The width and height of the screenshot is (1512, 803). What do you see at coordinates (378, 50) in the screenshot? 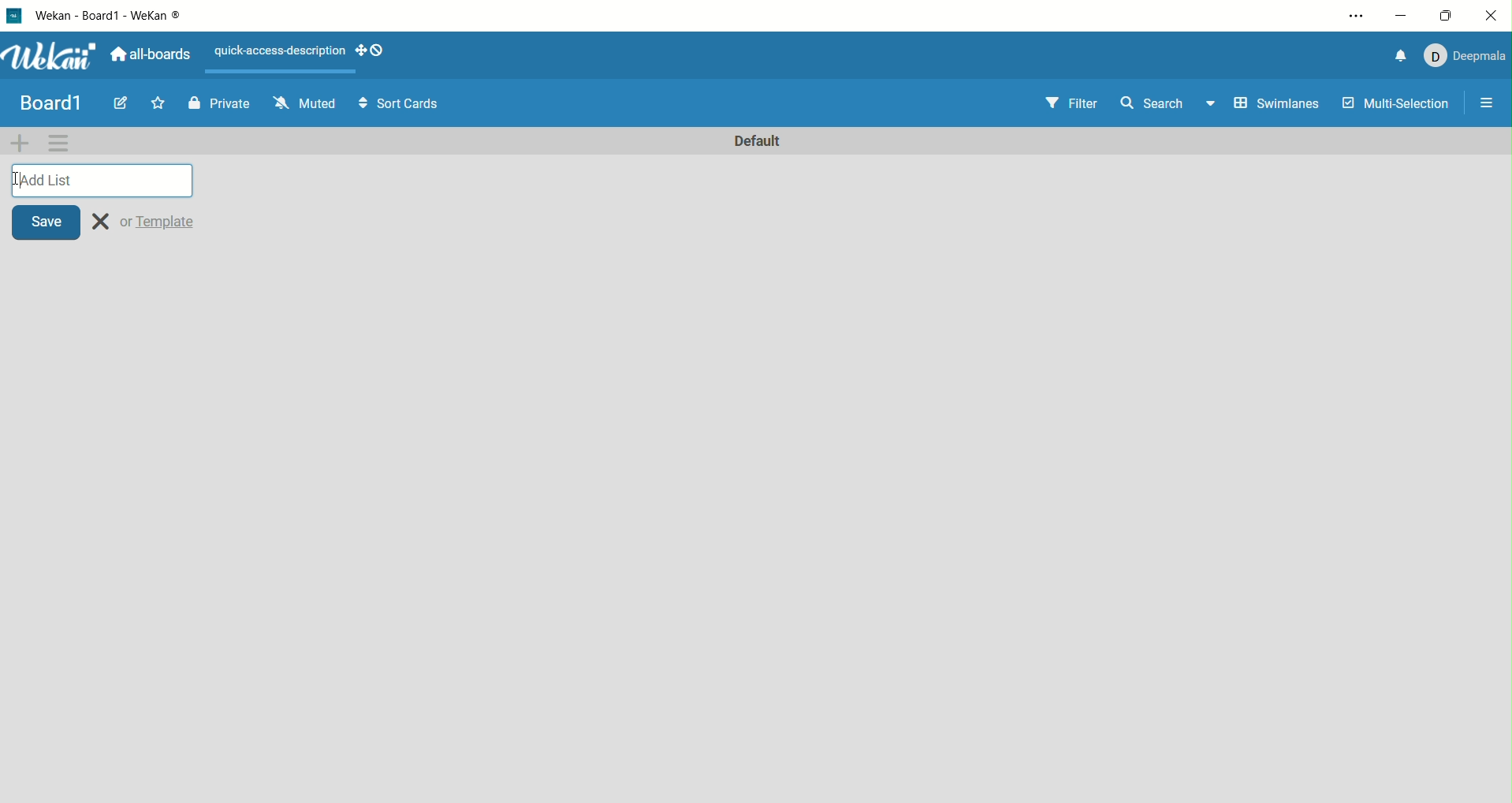
I see `show-desktop-drag- handles` at bounding box center [378, 50].